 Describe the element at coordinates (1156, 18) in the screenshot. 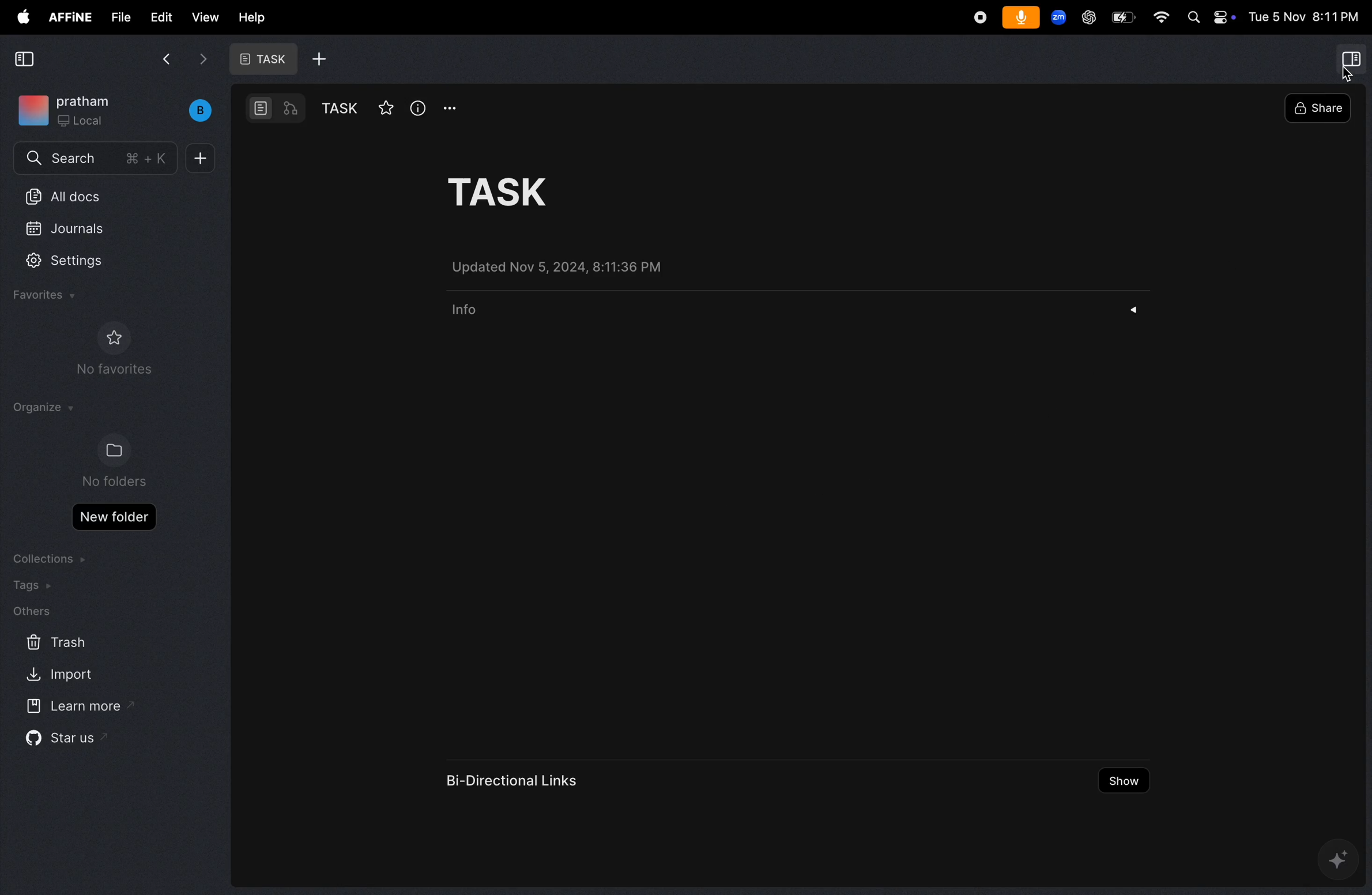

I see `wifi` at that location.